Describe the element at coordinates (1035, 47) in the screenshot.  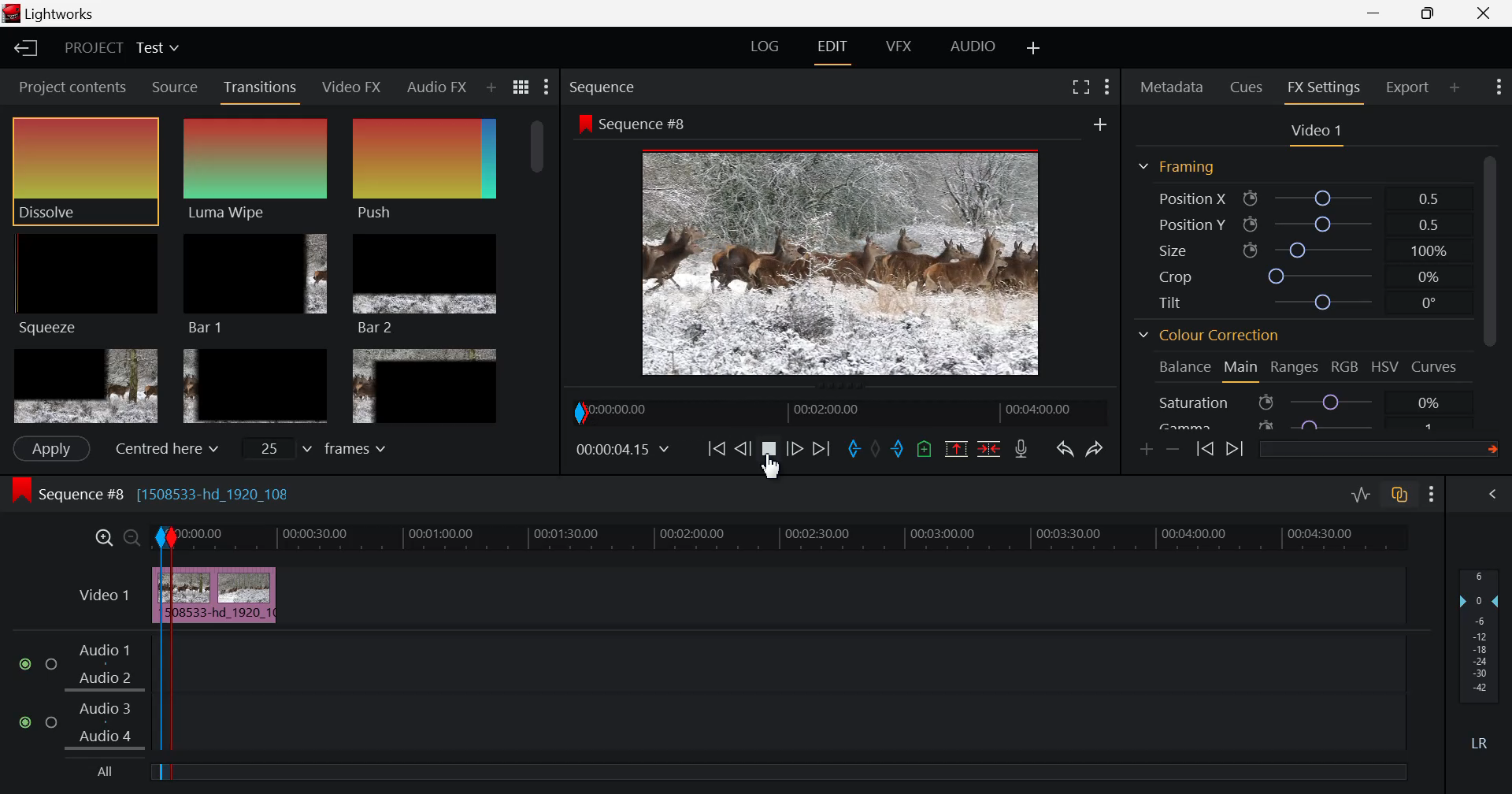
I see `Add Layout` at that location.